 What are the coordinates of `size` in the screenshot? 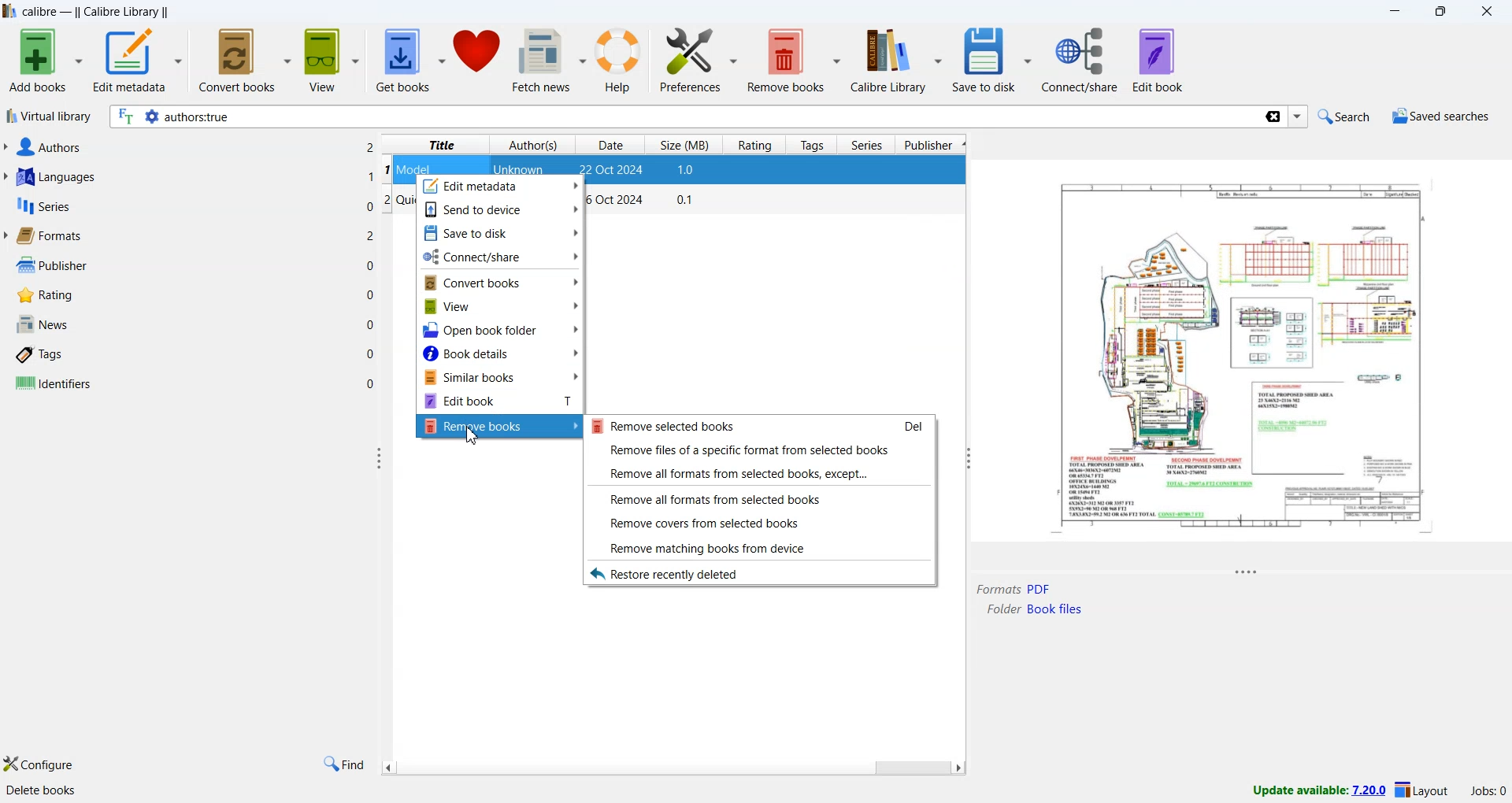 It's located at (687, 171).